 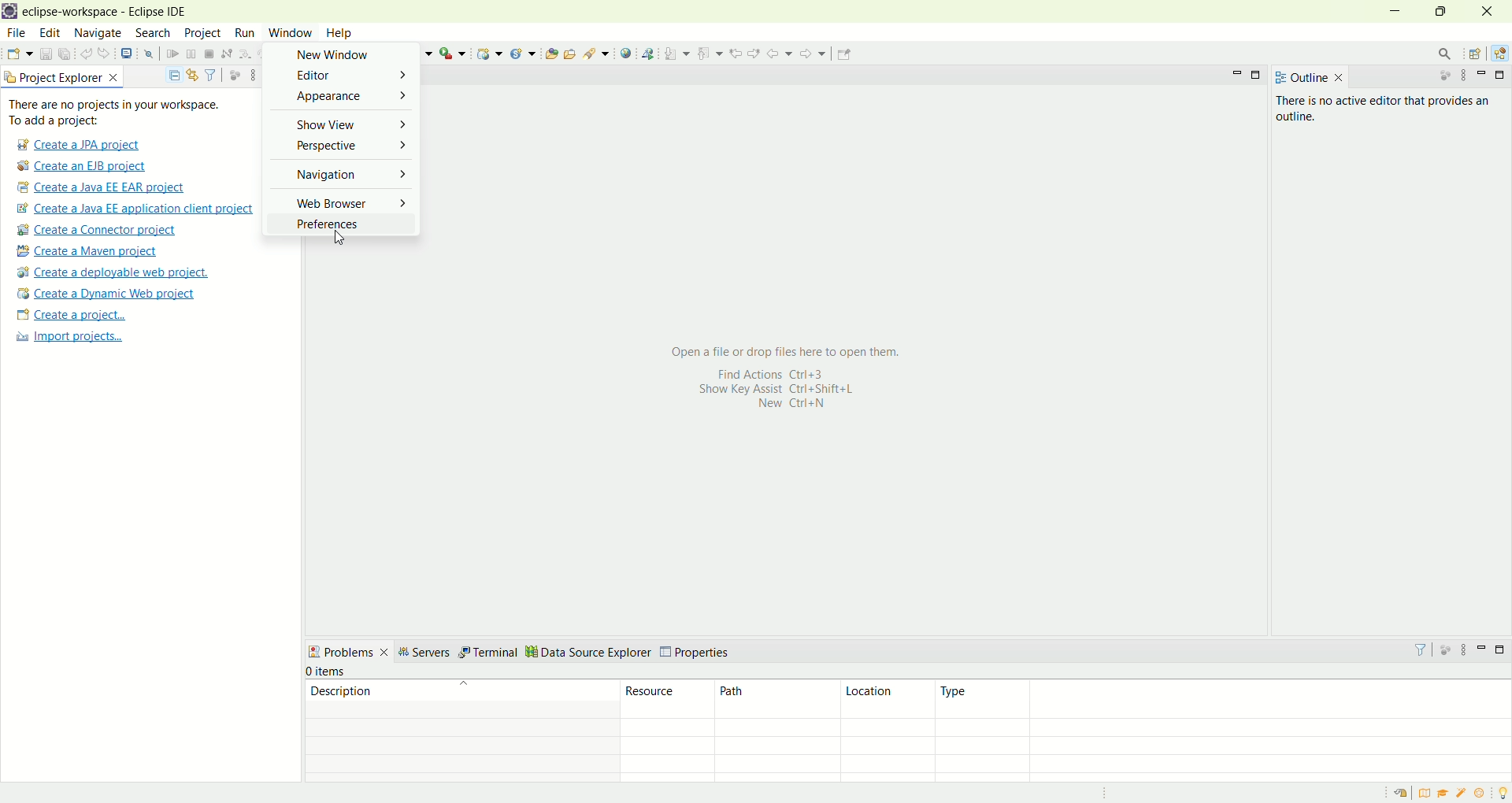 I want to click on open, so click(x=20, y=56).